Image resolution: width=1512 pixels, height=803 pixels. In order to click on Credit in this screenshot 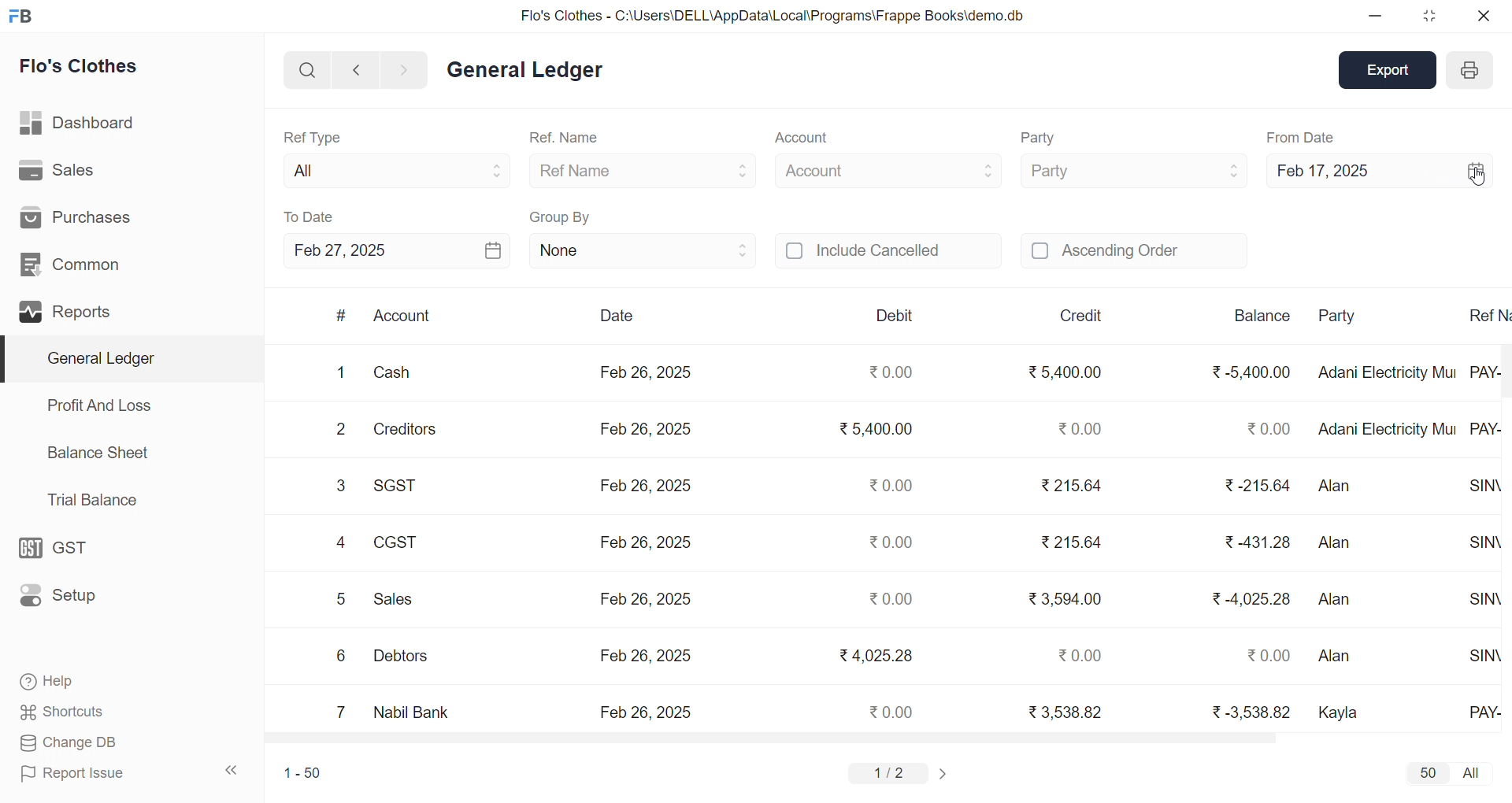, I will do `click(1083, 316)`.